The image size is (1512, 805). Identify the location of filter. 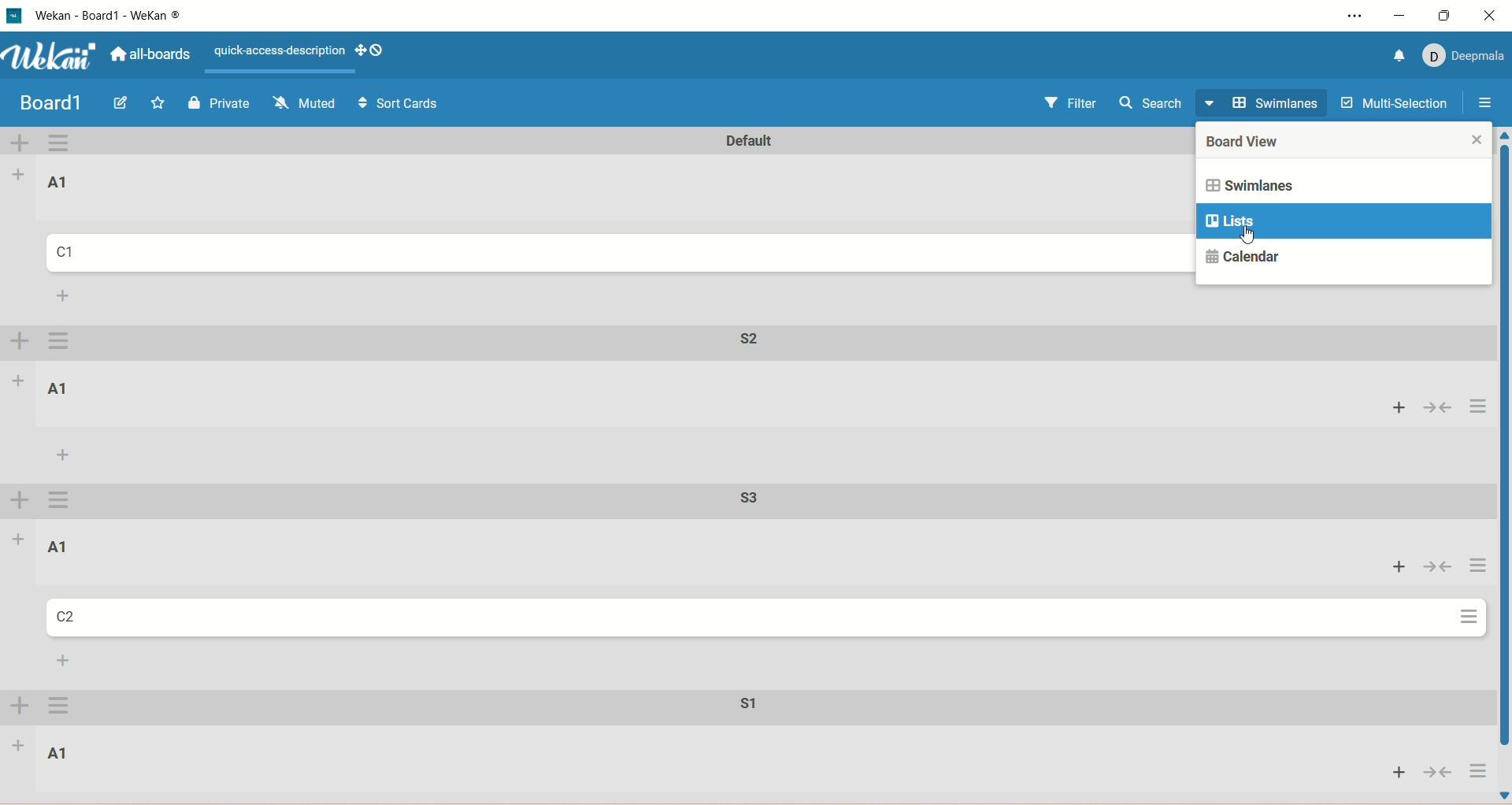
(1075, 107).